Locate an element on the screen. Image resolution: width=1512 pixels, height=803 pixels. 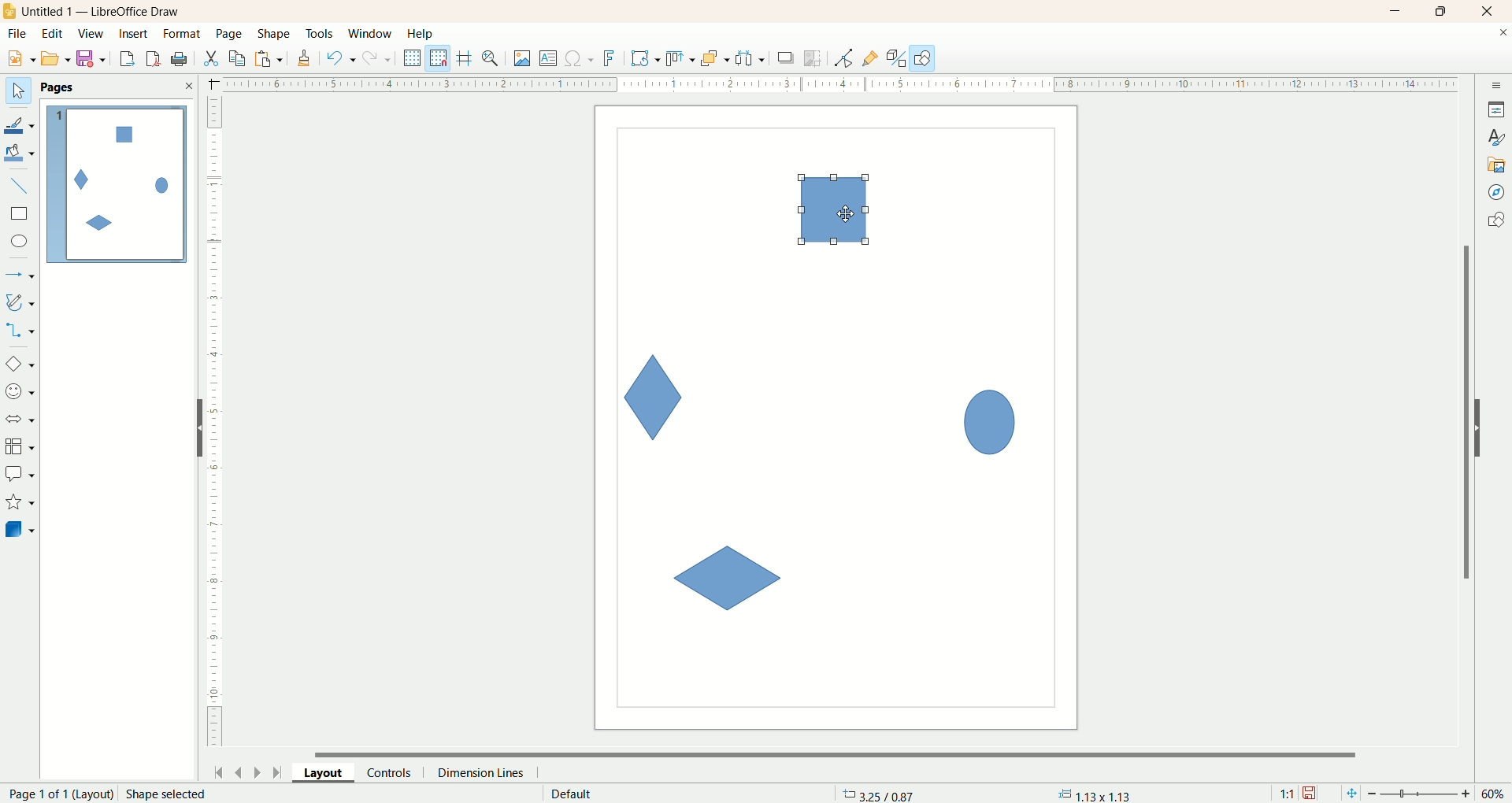
ellipse is located at coordinates (21, 243).